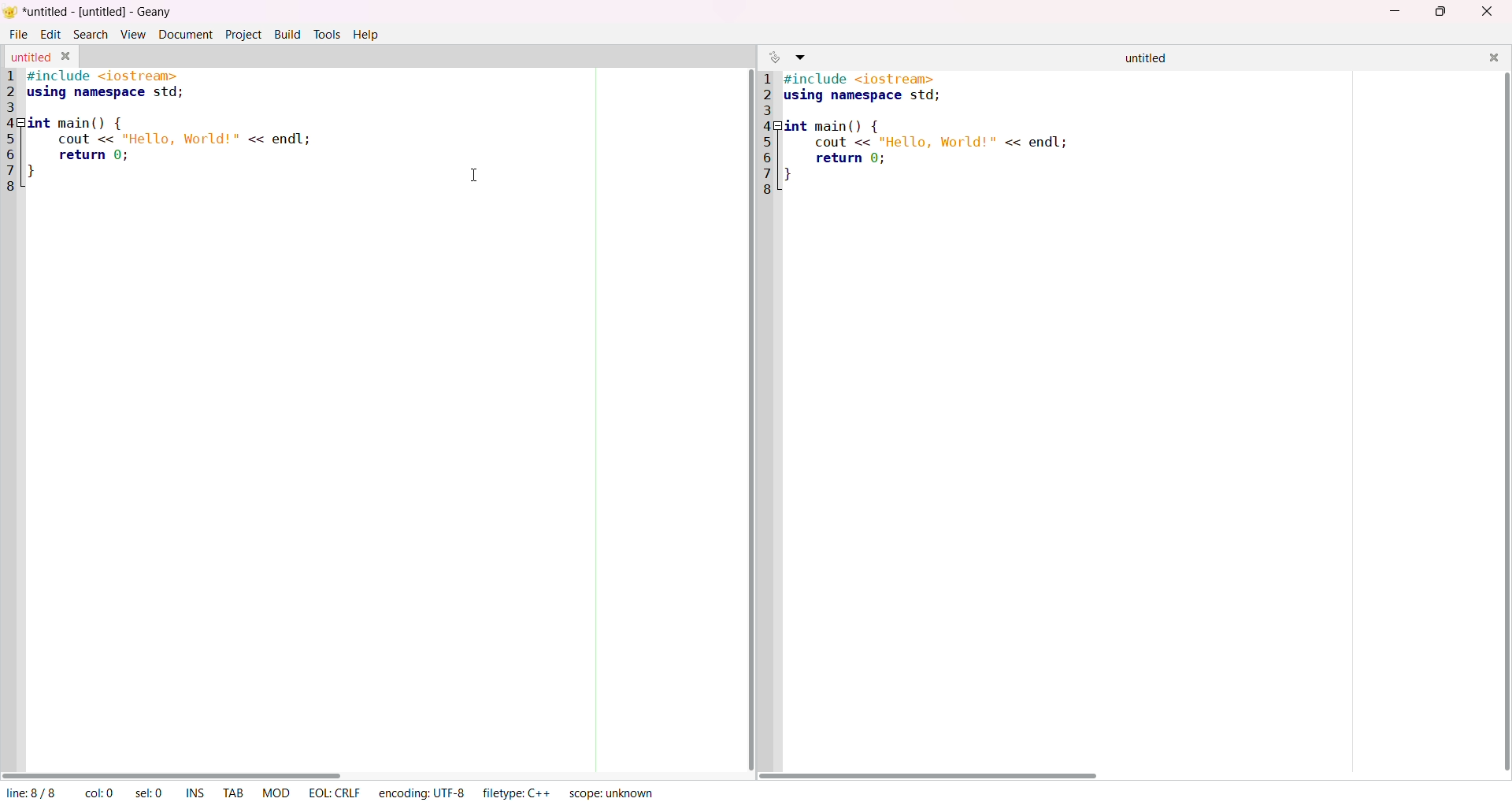 The width and height of the screenshot is (1512, 802). What do you see at coordinates (234, 792) in the screenshot?
I see `TAB` at bounding box center [234, 792].